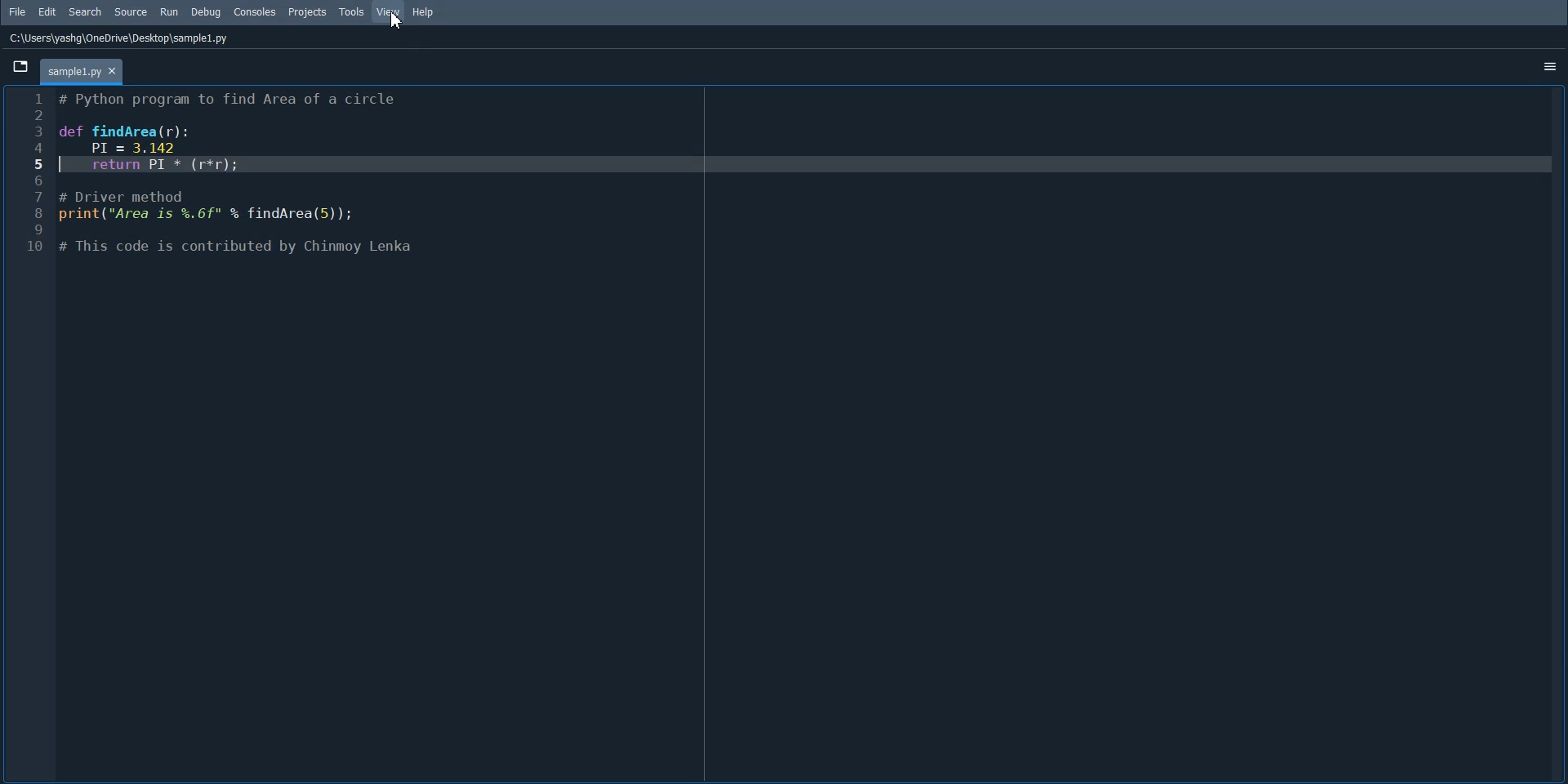 The image size is (1568, 784). What do you see at coordinates (131, 11) in the screenshot?
I see `Source` at bounding box center [131, 11].